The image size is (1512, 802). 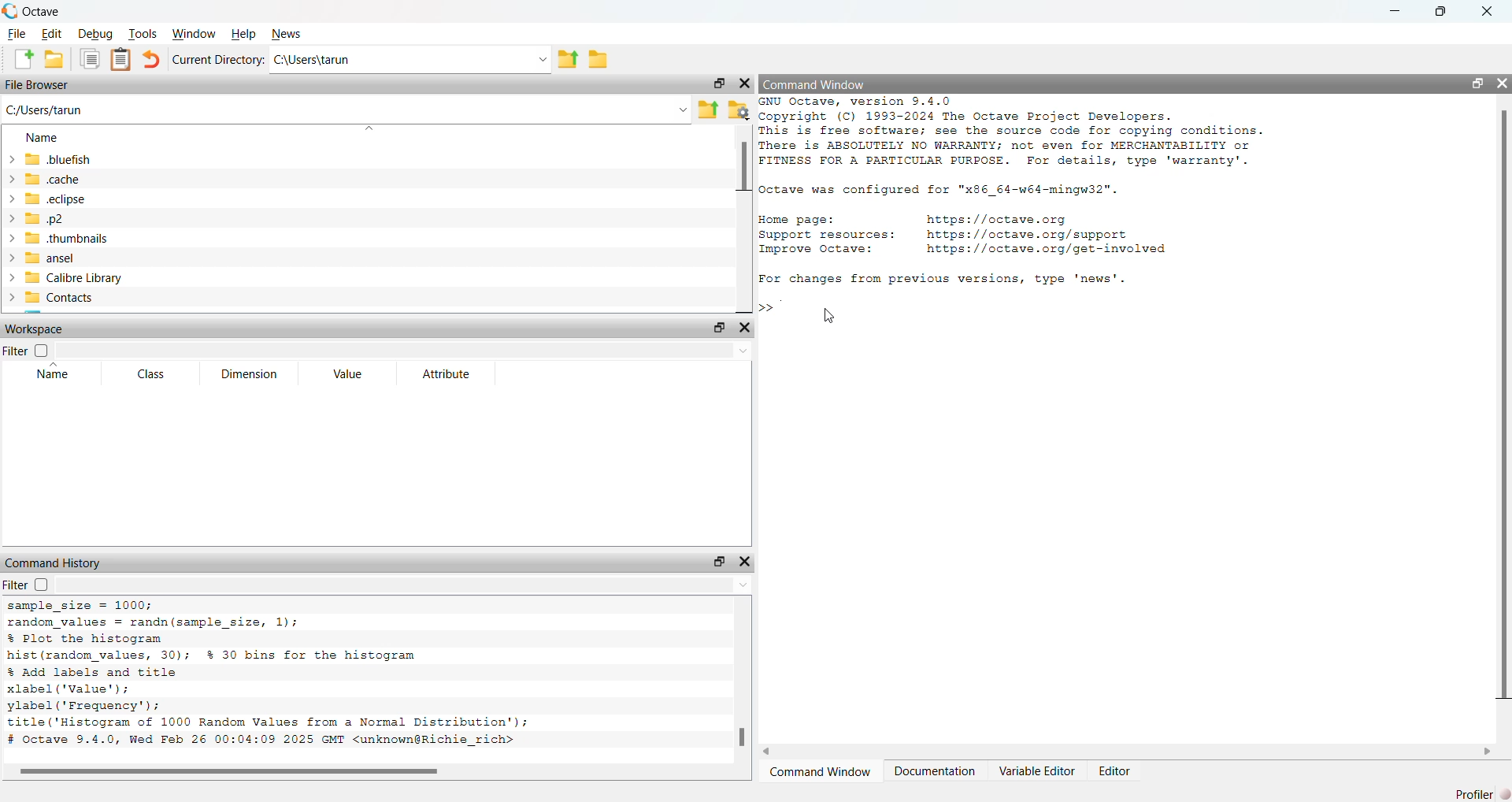 What do you see at coordinates (43, 180) in the screenshot?
I see `.cache` at bounding box center [43, 180].